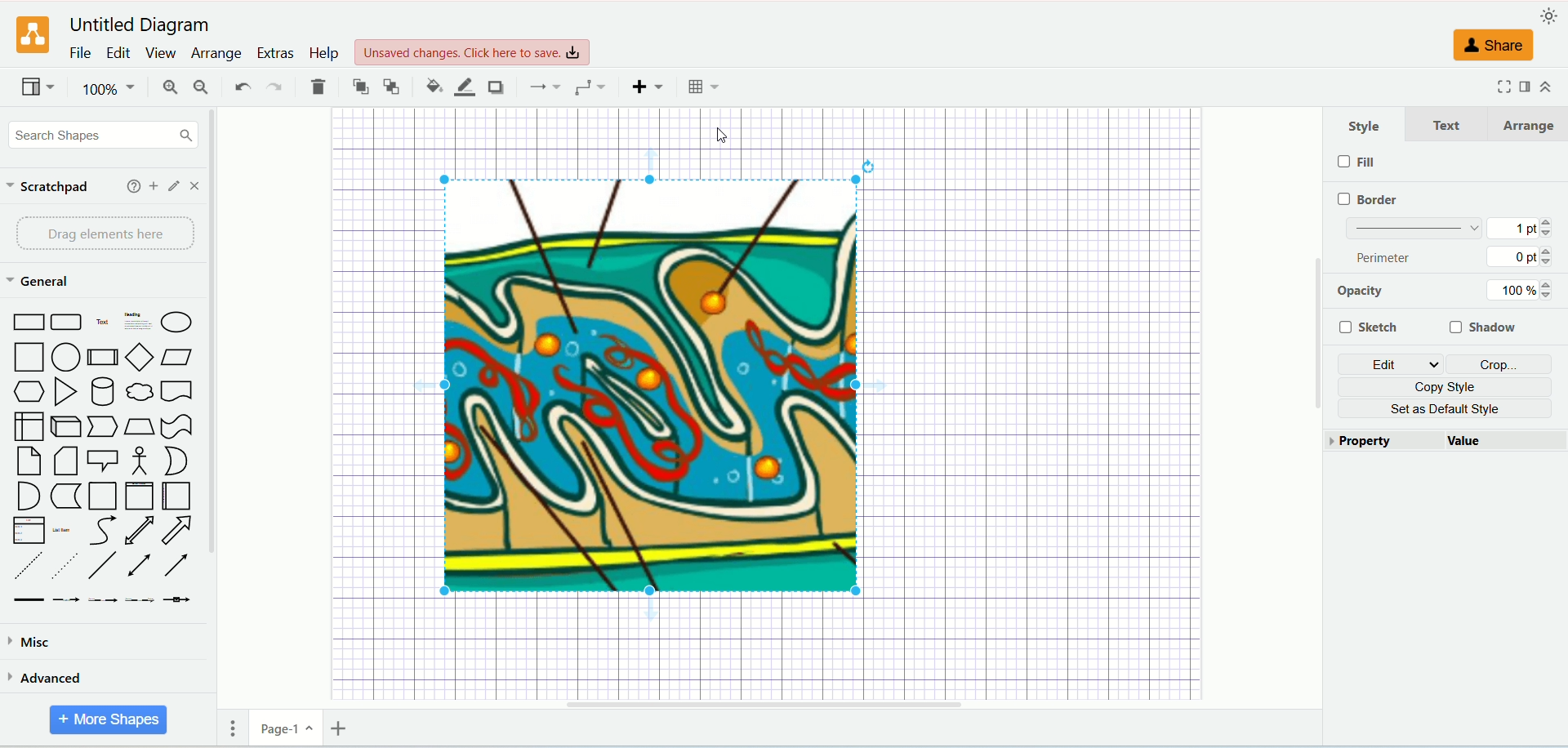 This screenshot has width=1568, height=748. I want to click on 0 pt, so click(1523, 256).